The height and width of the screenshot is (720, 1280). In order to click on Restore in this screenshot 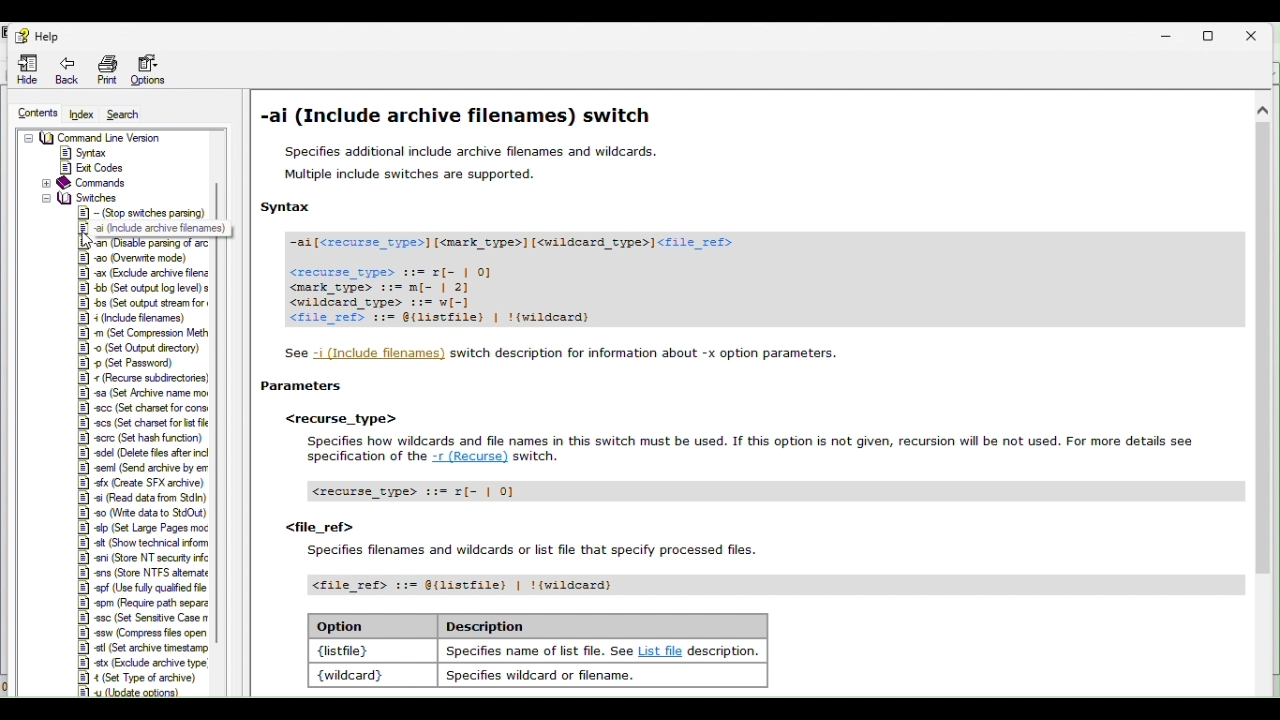, I will do `click(1216, 33)`.